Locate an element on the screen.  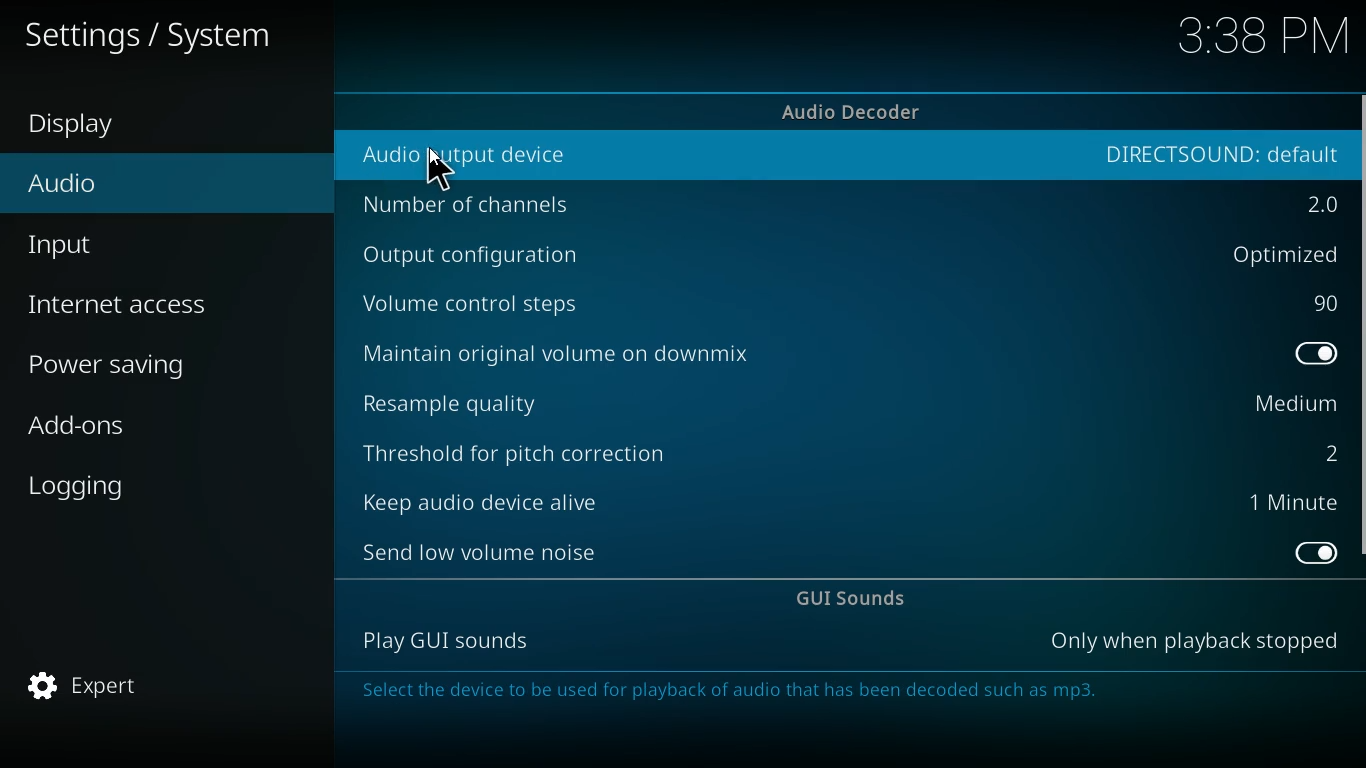
options is located at coordinates (1276, 254).